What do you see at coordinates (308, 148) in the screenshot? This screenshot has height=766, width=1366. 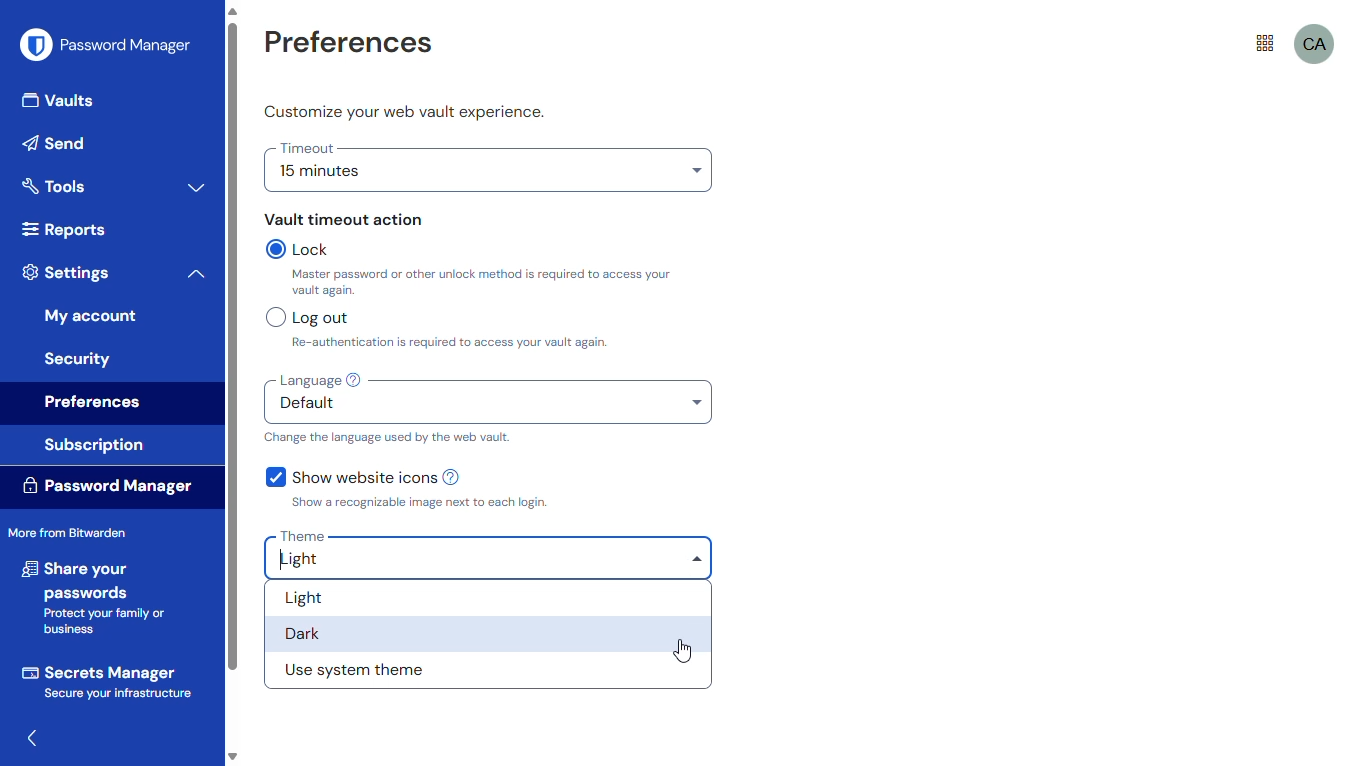 I see `timeout` at bounding box center [308, 148].